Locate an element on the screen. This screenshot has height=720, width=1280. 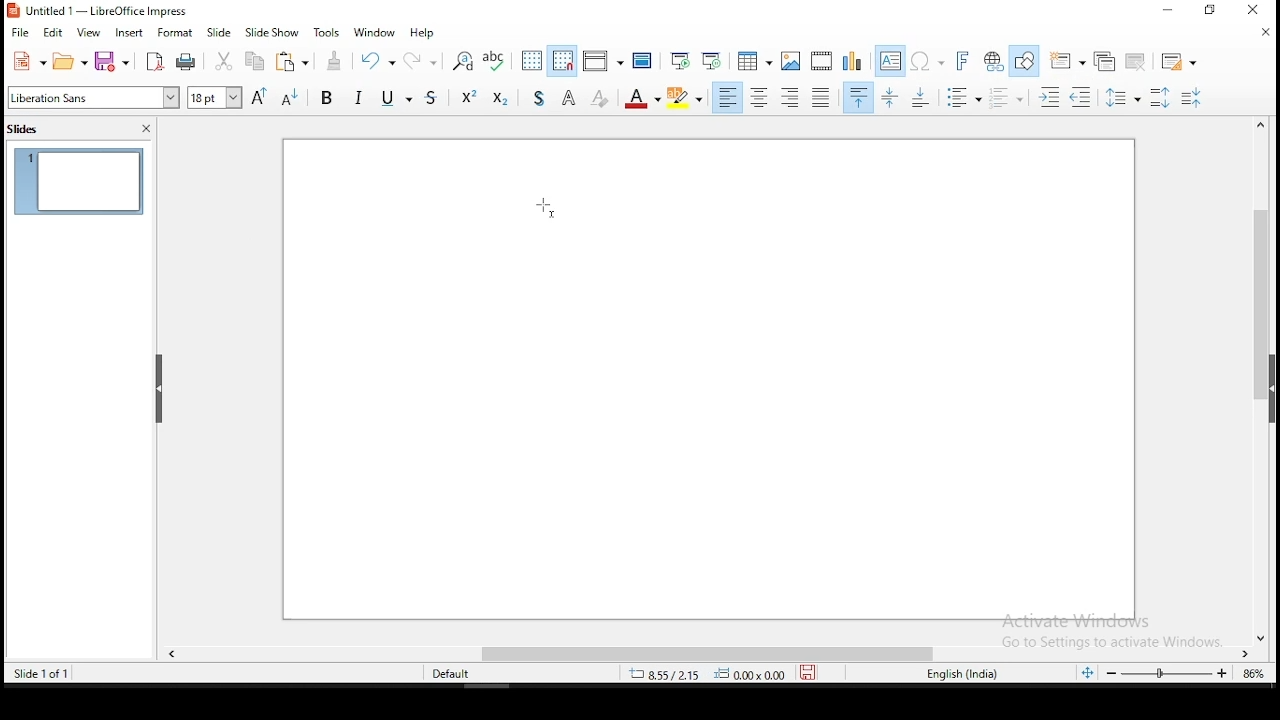
snap to grid is located at coordinates (562, 61).